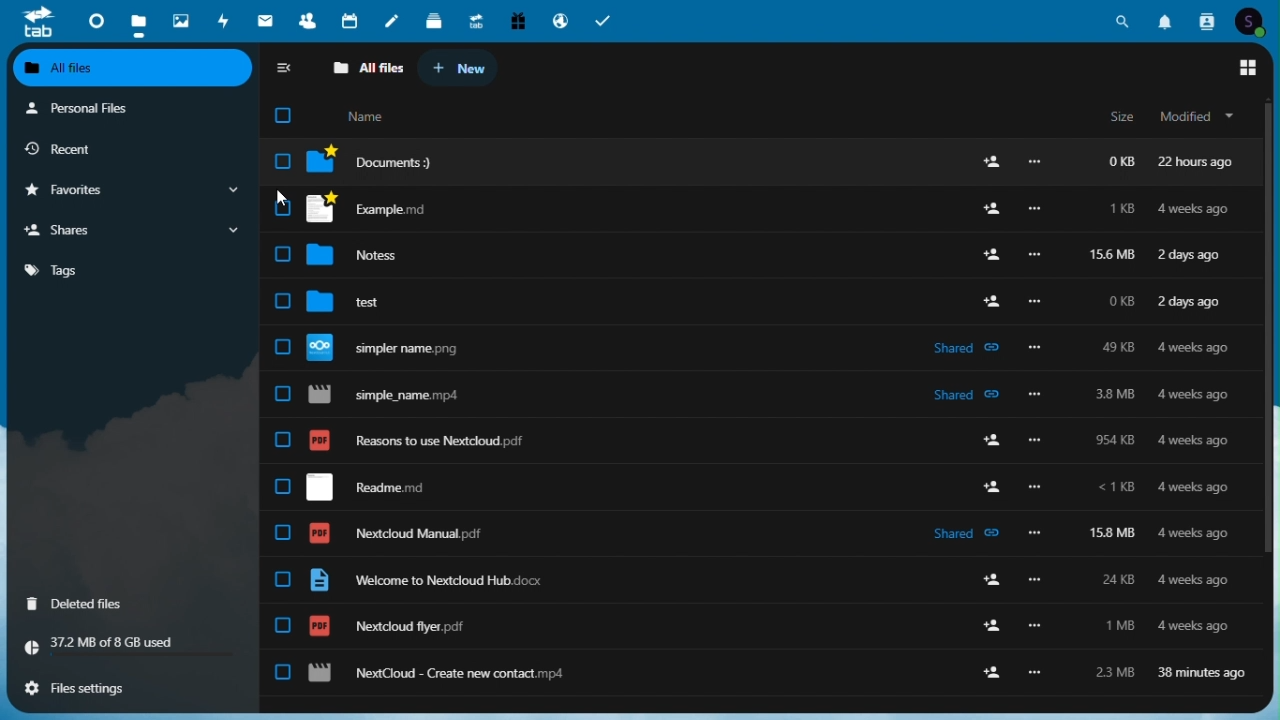 Image resolution: width=1280 pixels, height=720 pixels. What do you see at coordinates (1113, 533) in the screenshot?
I see `158 mb` at bounding box center [1113, 533].